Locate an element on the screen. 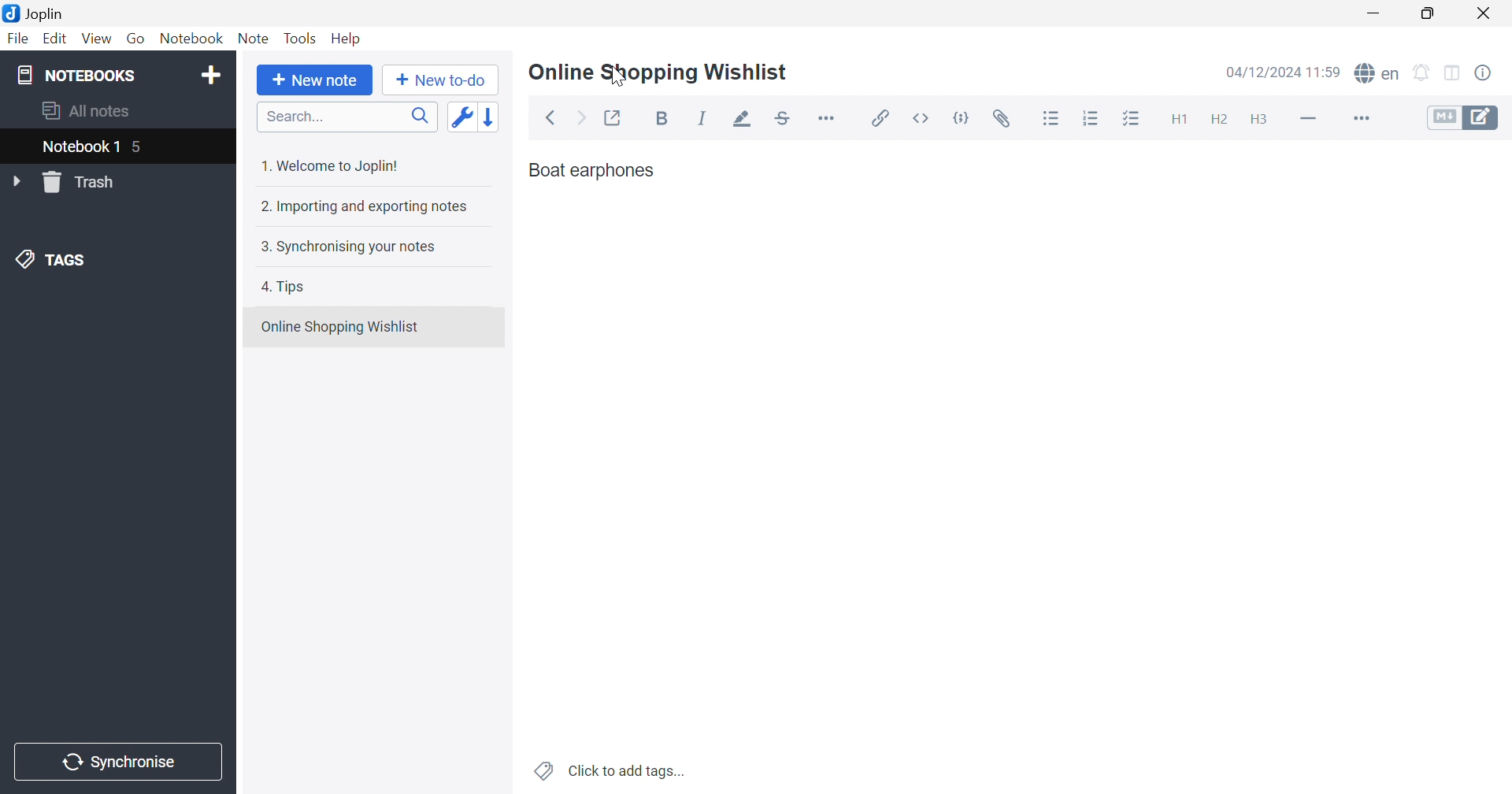 Image resolution: width=1512 pixels, height=794 pixels. Toggle editors is located at coordinates (1466, 119).